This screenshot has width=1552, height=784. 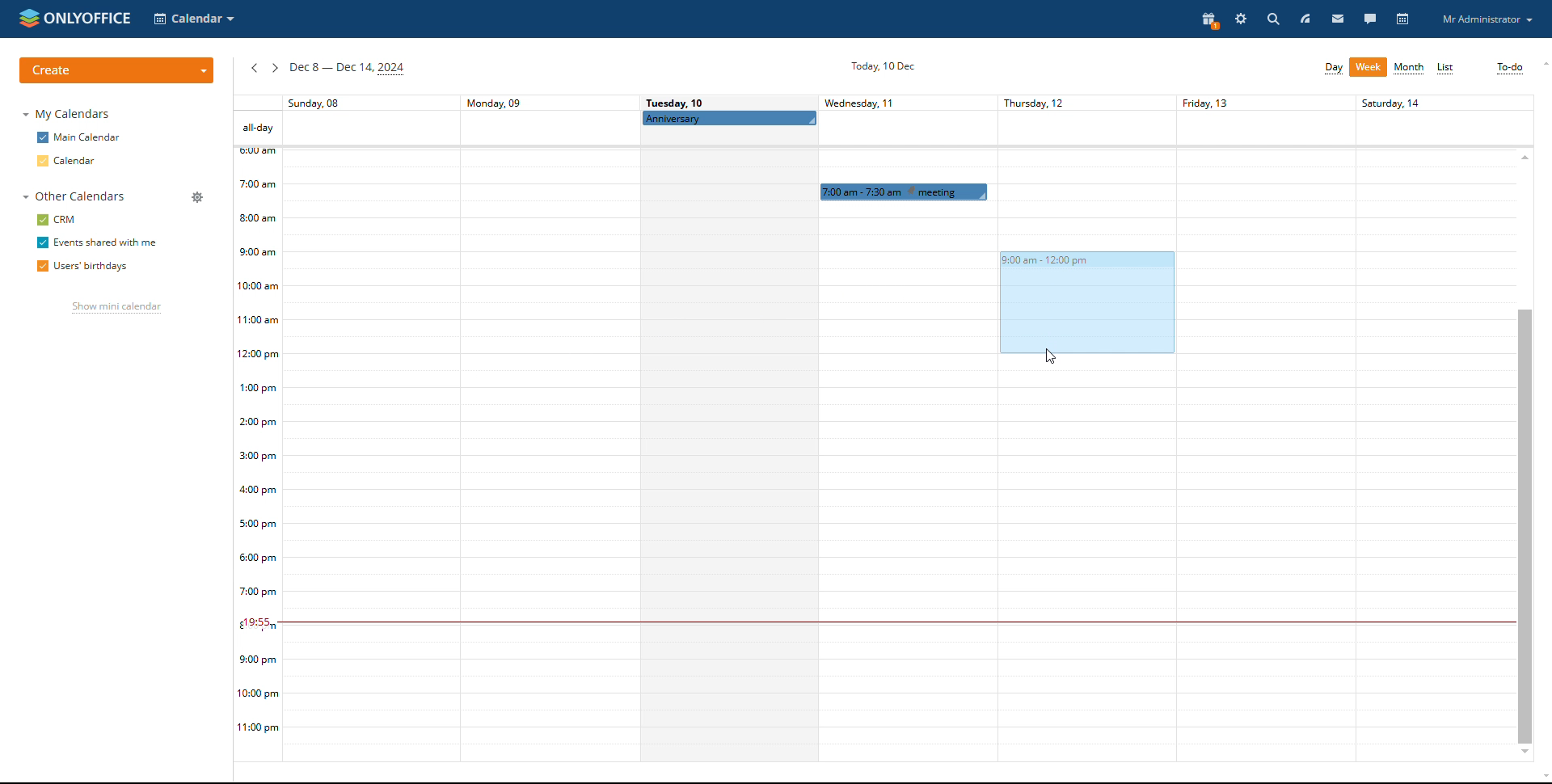 I want to click on sunday, so click(x=372, y=430).